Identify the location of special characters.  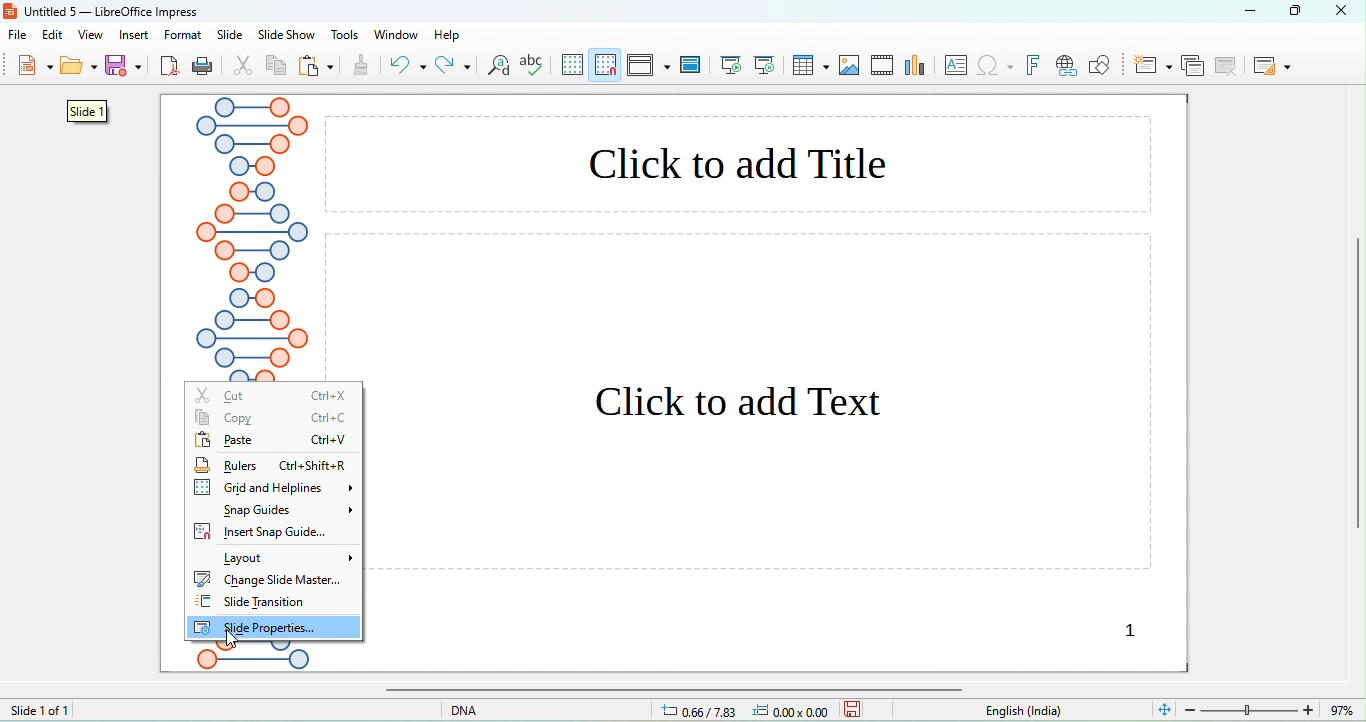
(997, 67).